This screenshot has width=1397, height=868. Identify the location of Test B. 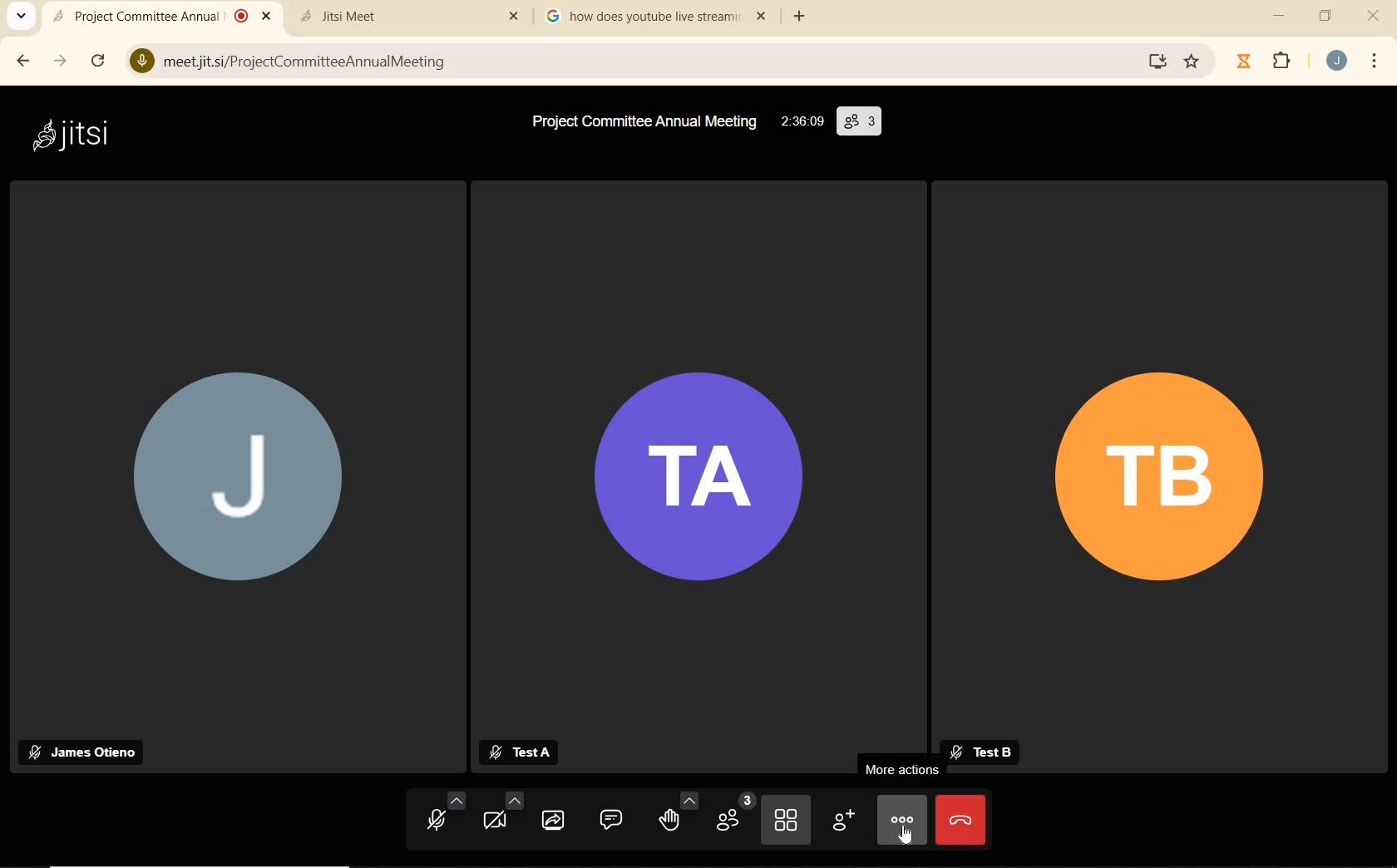
(980, 752).